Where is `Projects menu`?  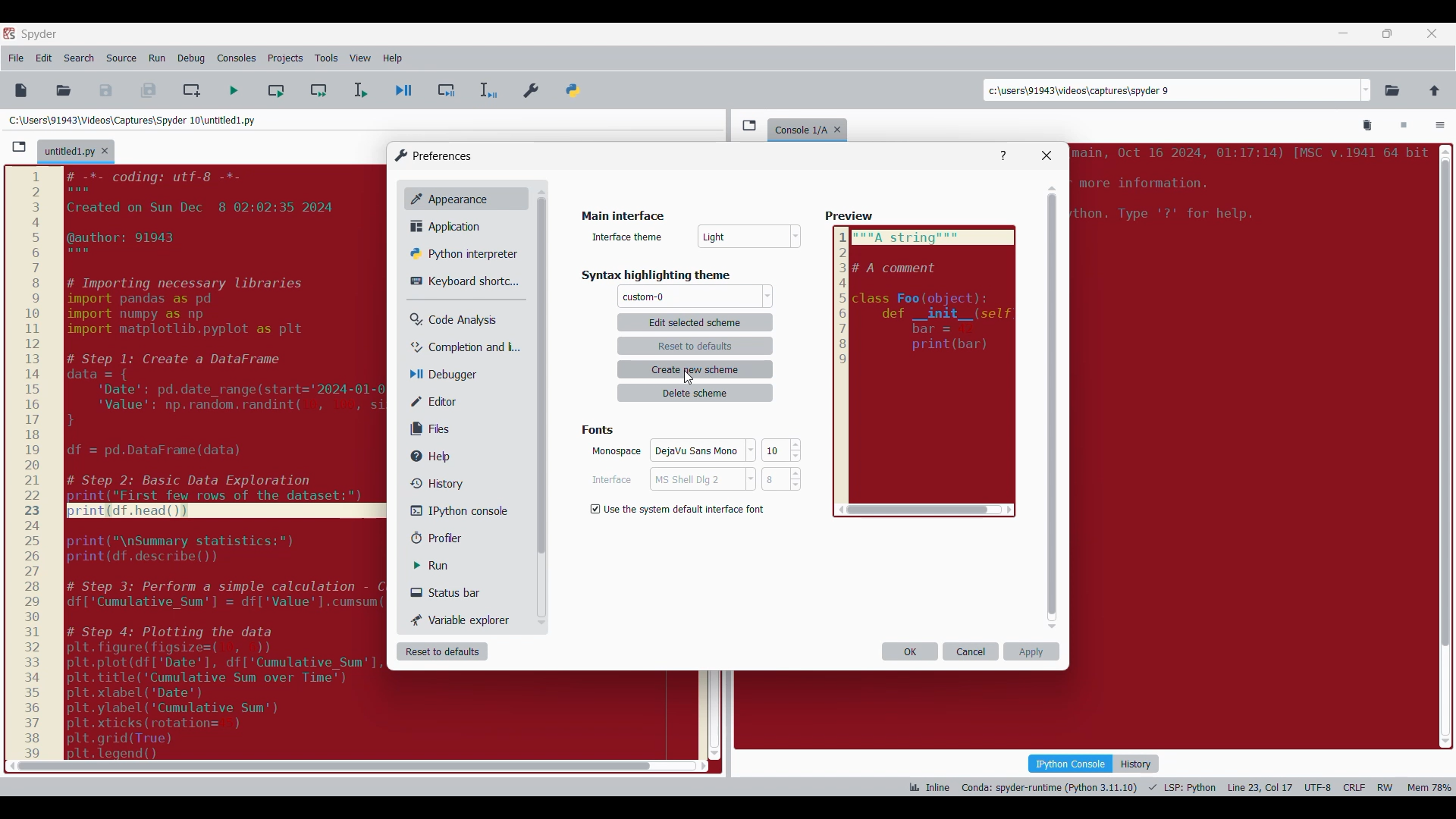 Projects menu is located at coordinates (285, 58).